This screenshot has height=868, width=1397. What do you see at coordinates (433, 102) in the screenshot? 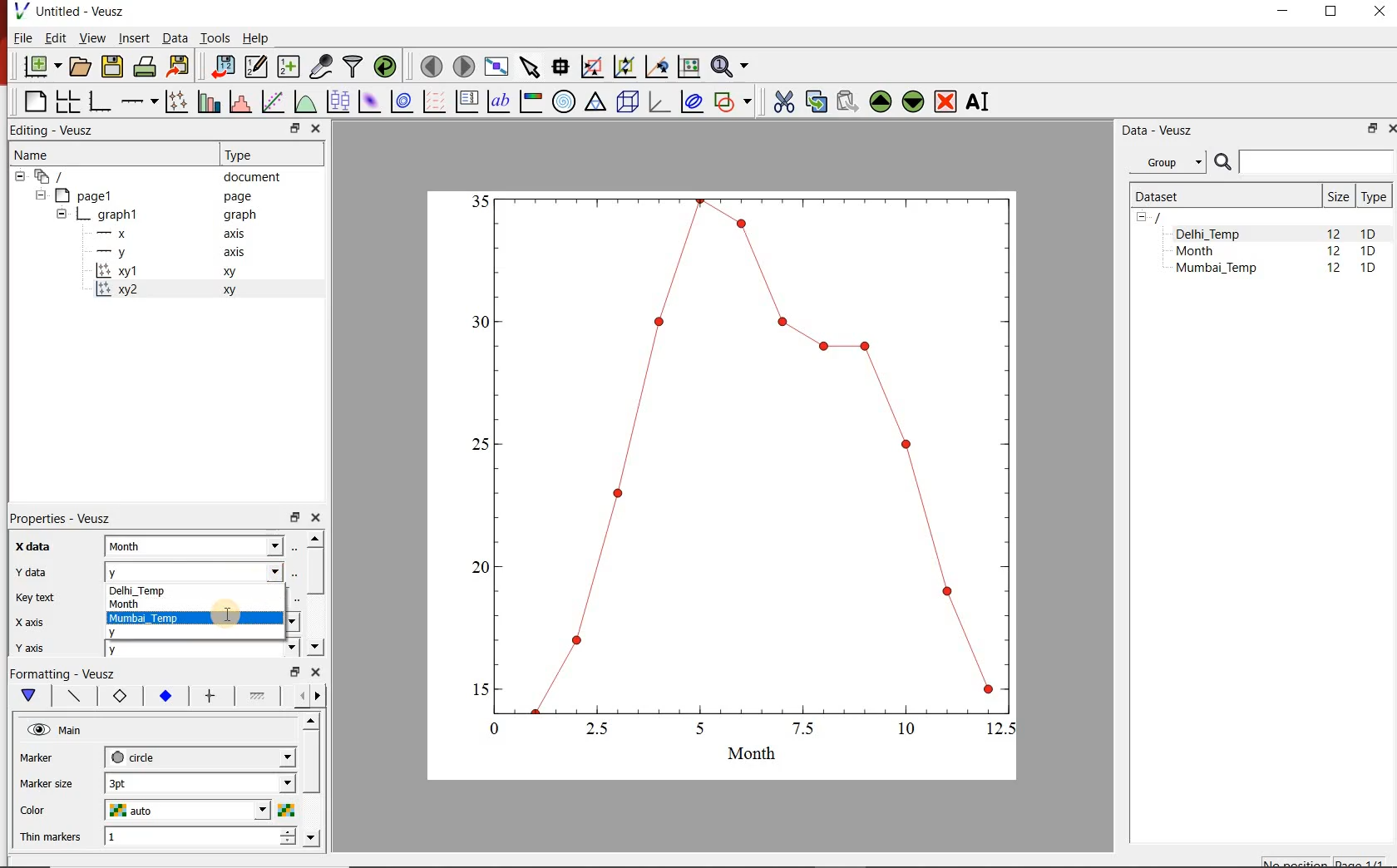
I see `plot a vector field` at bounding box center [433, 102].